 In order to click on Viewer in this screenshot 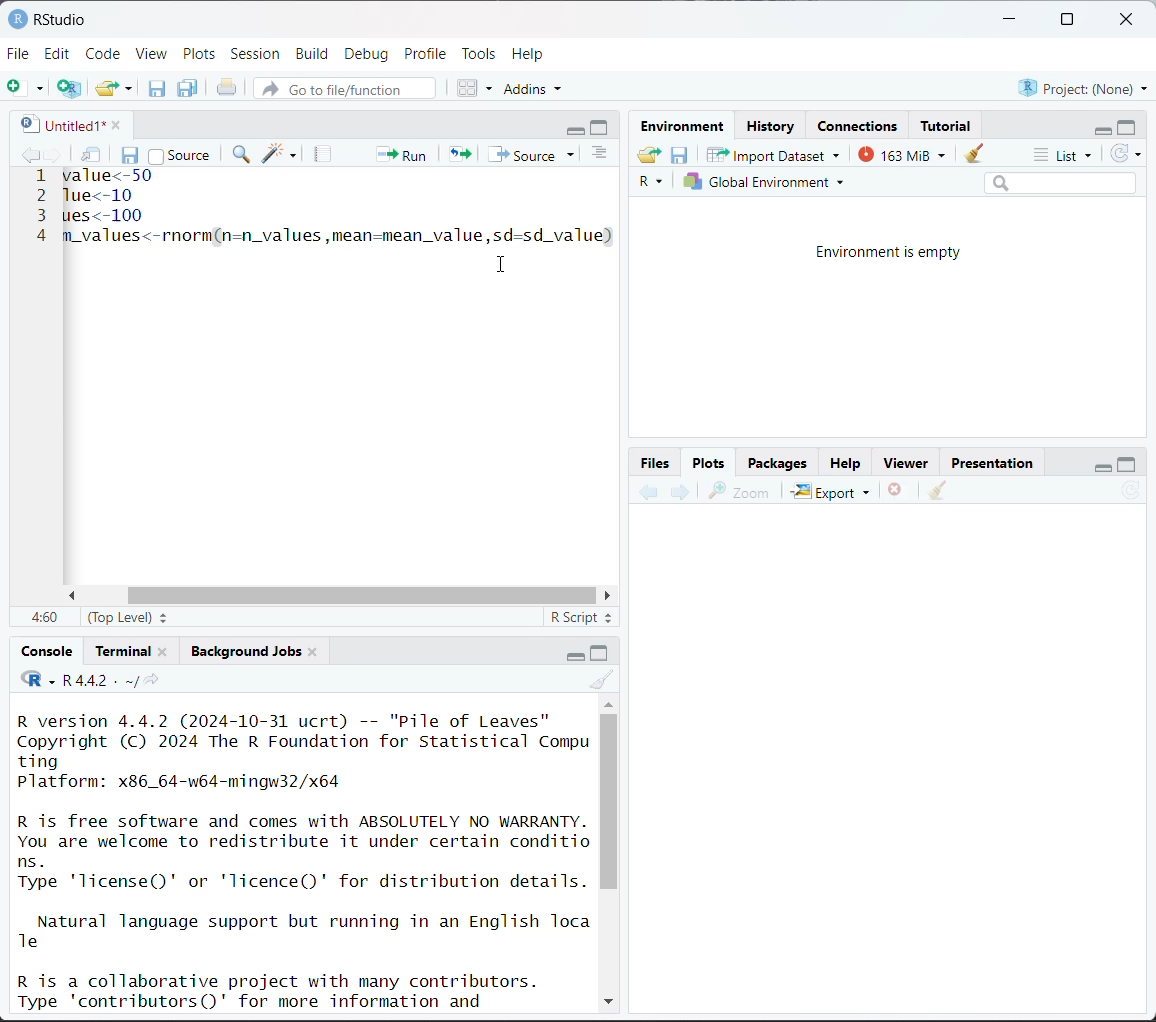, I will do `click(910, 464)`.